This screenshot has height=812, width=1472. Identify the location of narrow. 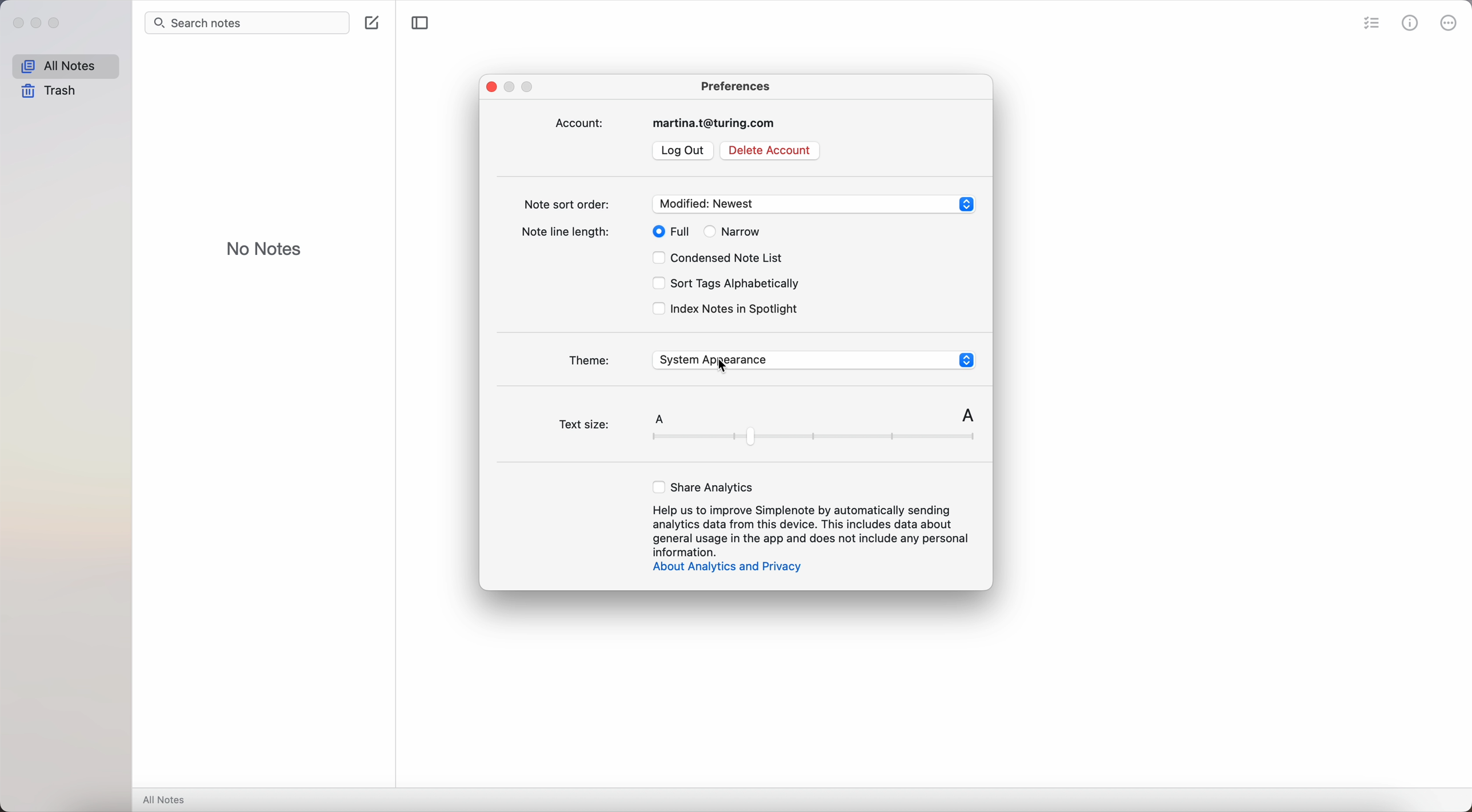
(733, 231).